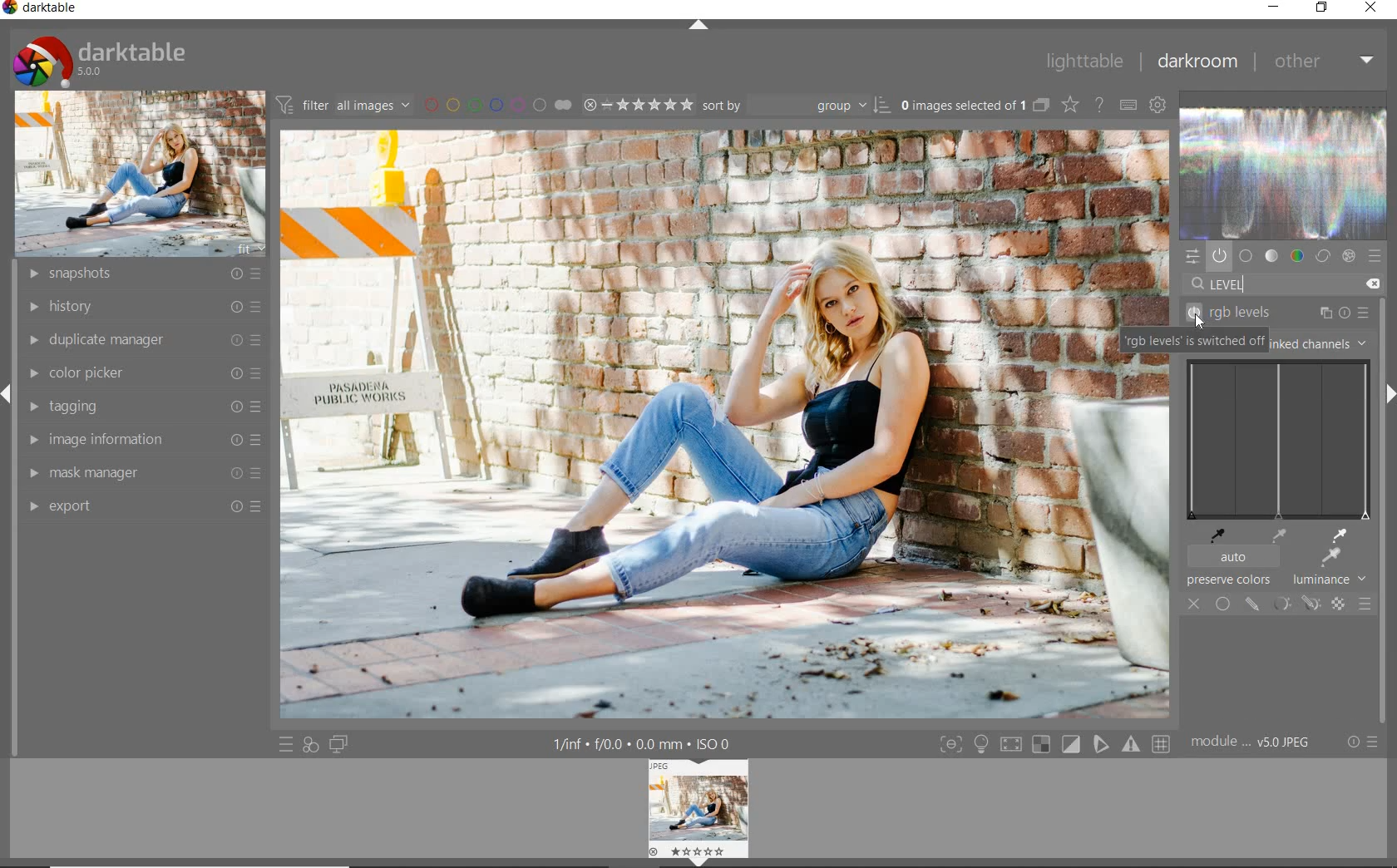 This screenshot has height=868, width=1397. I want to click on enable for online help, so click(1100, 106).